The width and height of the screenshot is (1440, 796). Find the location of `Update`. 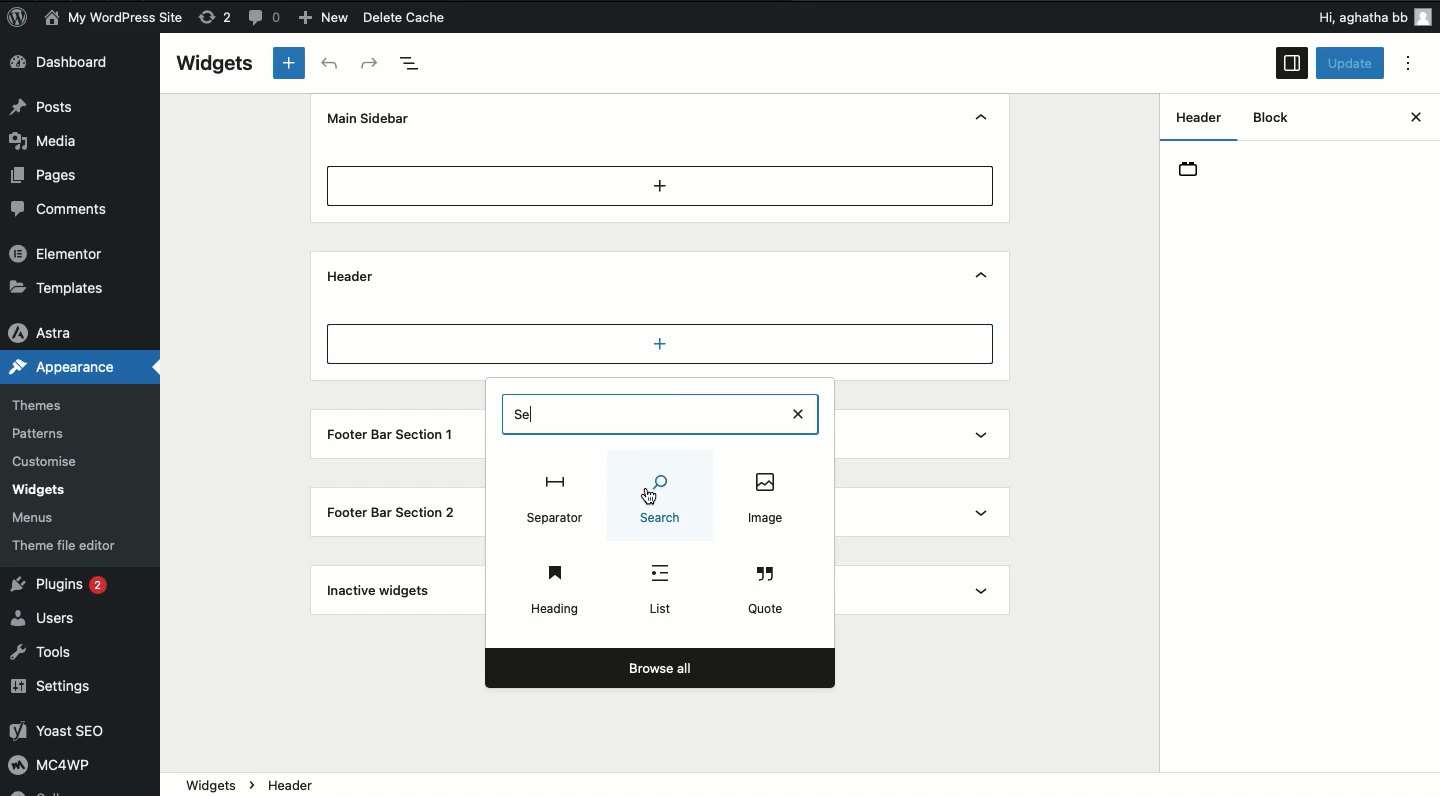

Update is located at coordinates (1351, 64).